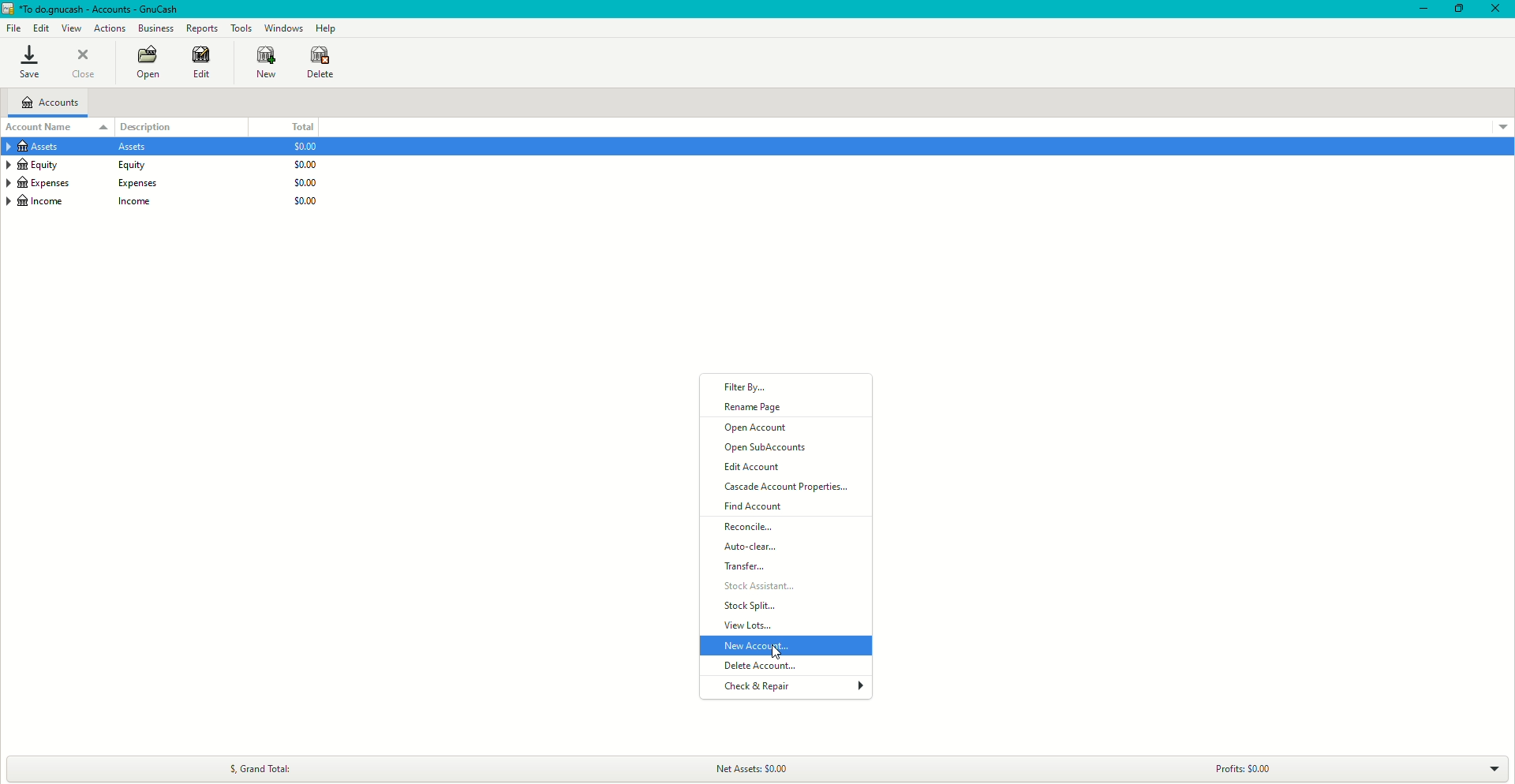 The height and width of the screenshot is (784, 1515). What do you see at coordinates (87, 64) in the screenshot?
I see `Close` at bounding box center [87, 64].